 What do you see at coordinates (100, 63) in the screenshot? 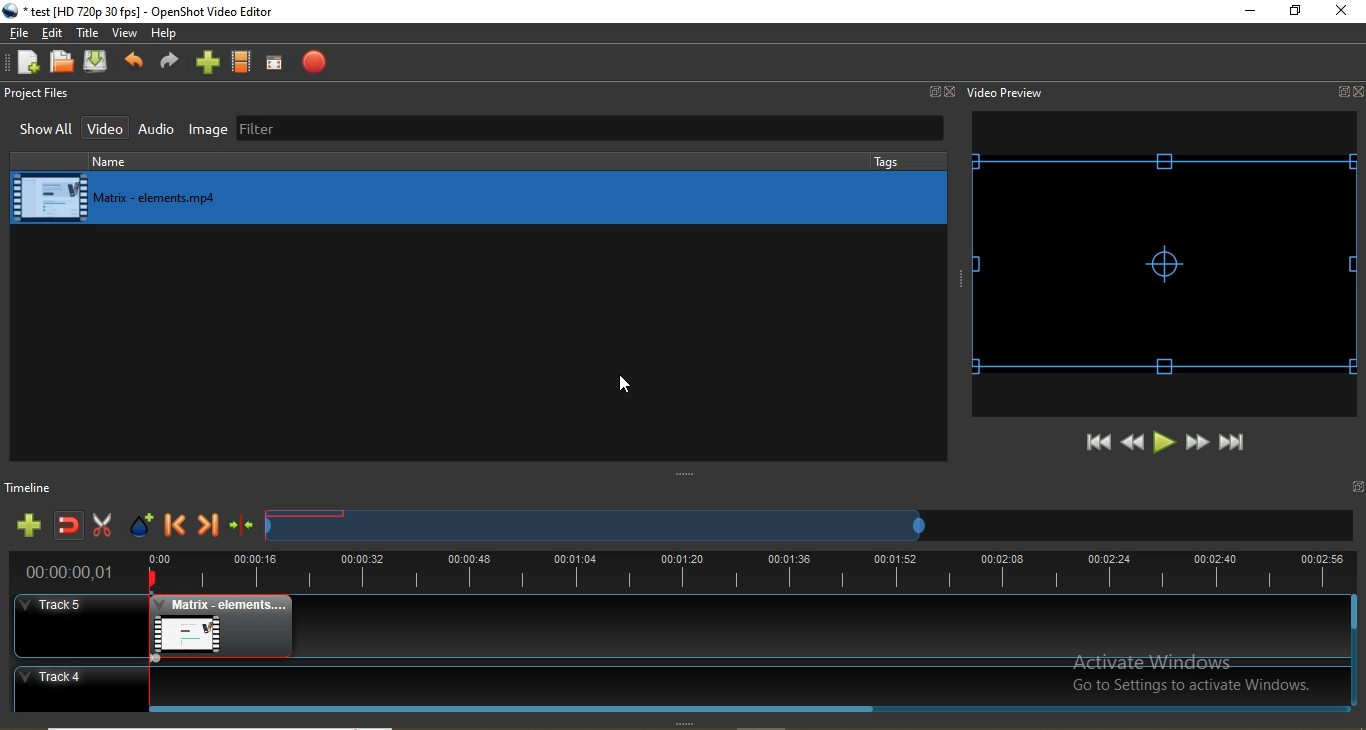
I see `Save project ` at bounding box center [100, 63].